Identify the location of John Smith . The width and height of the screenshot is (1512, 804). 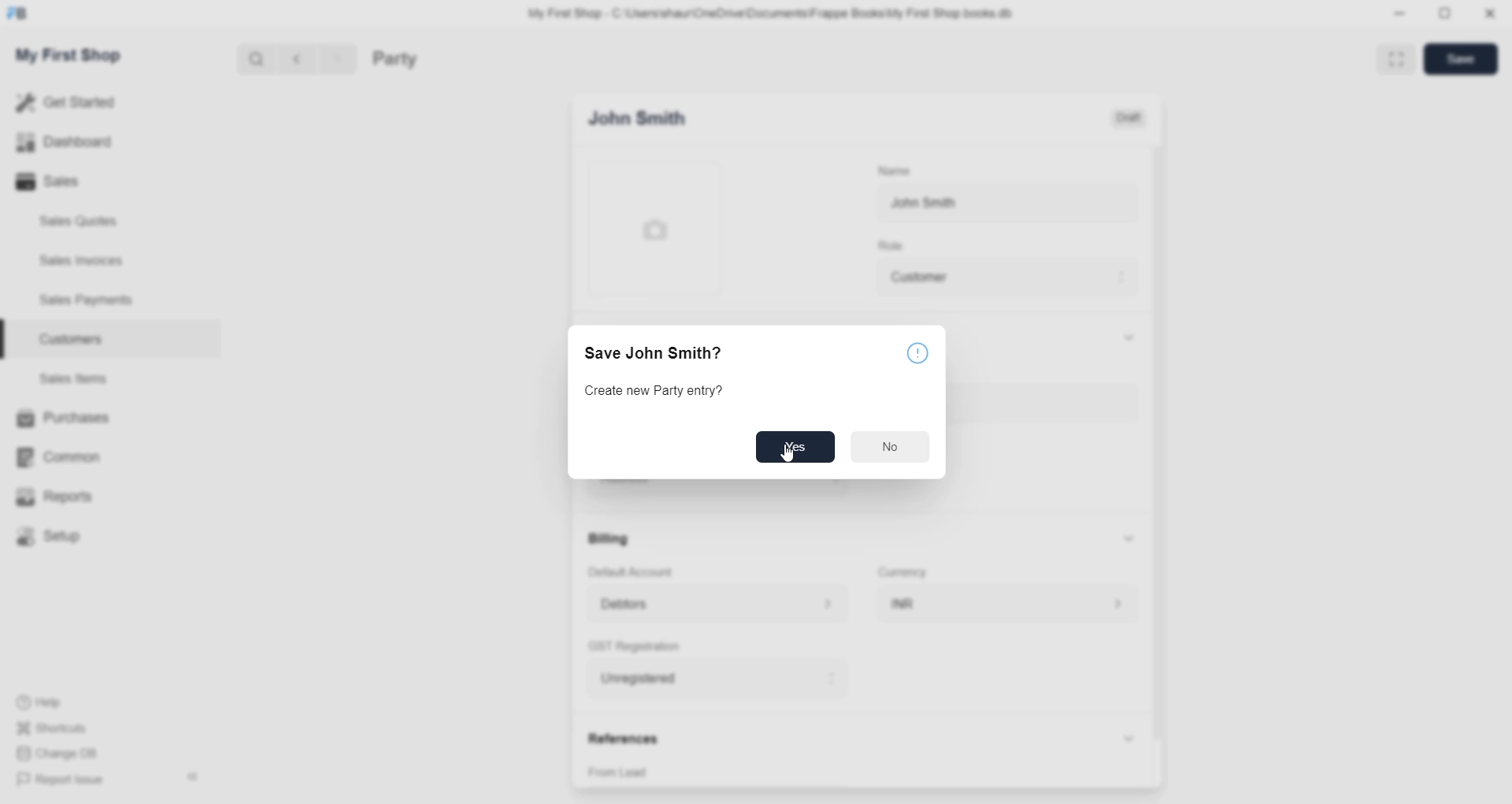
(935, 204).